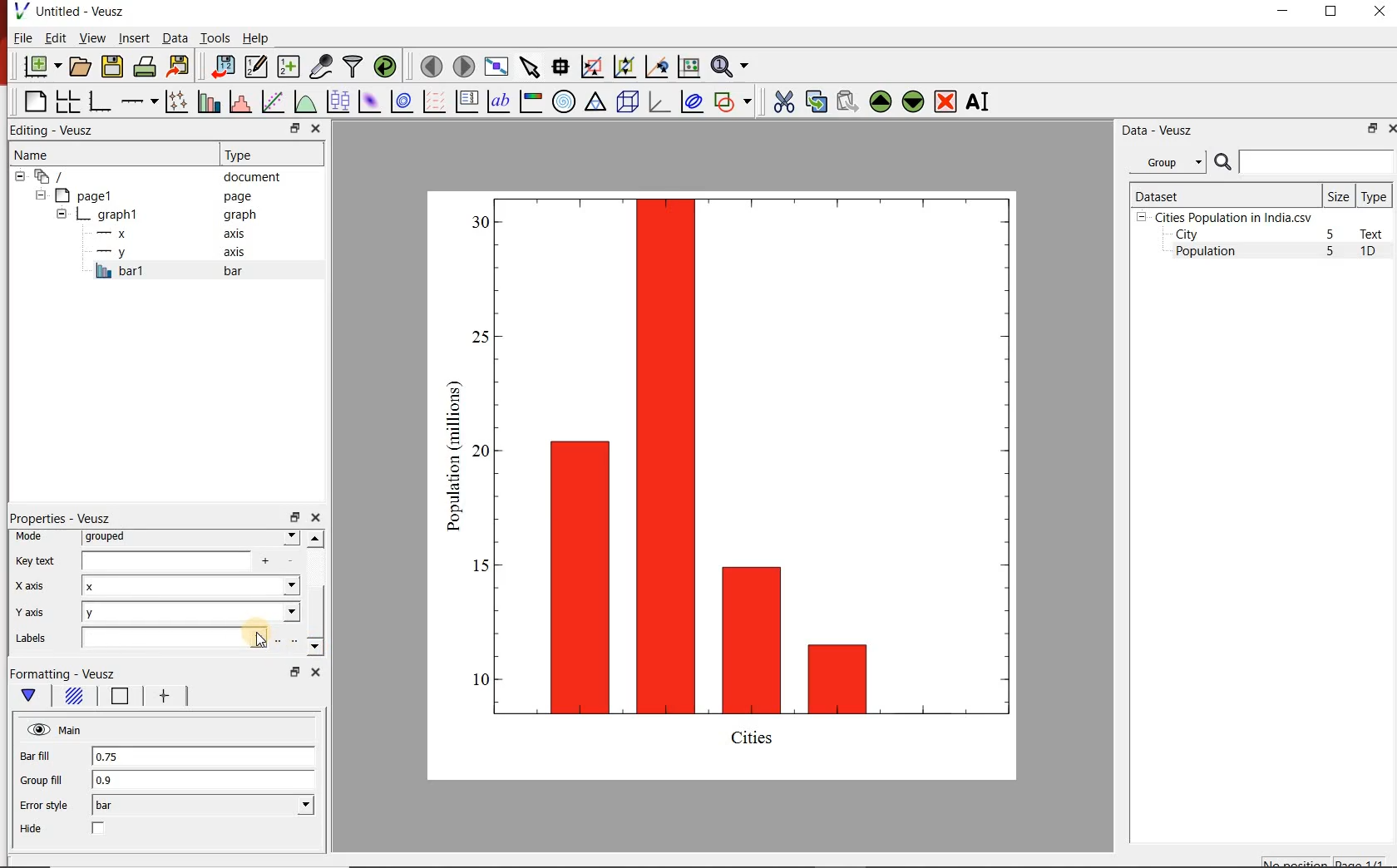 This screenshot has height=868, width=1397. What do you see at coordinates (781, 101) in the screenshot?
I see `cut the selected widget` at bounding box center [781, 101].